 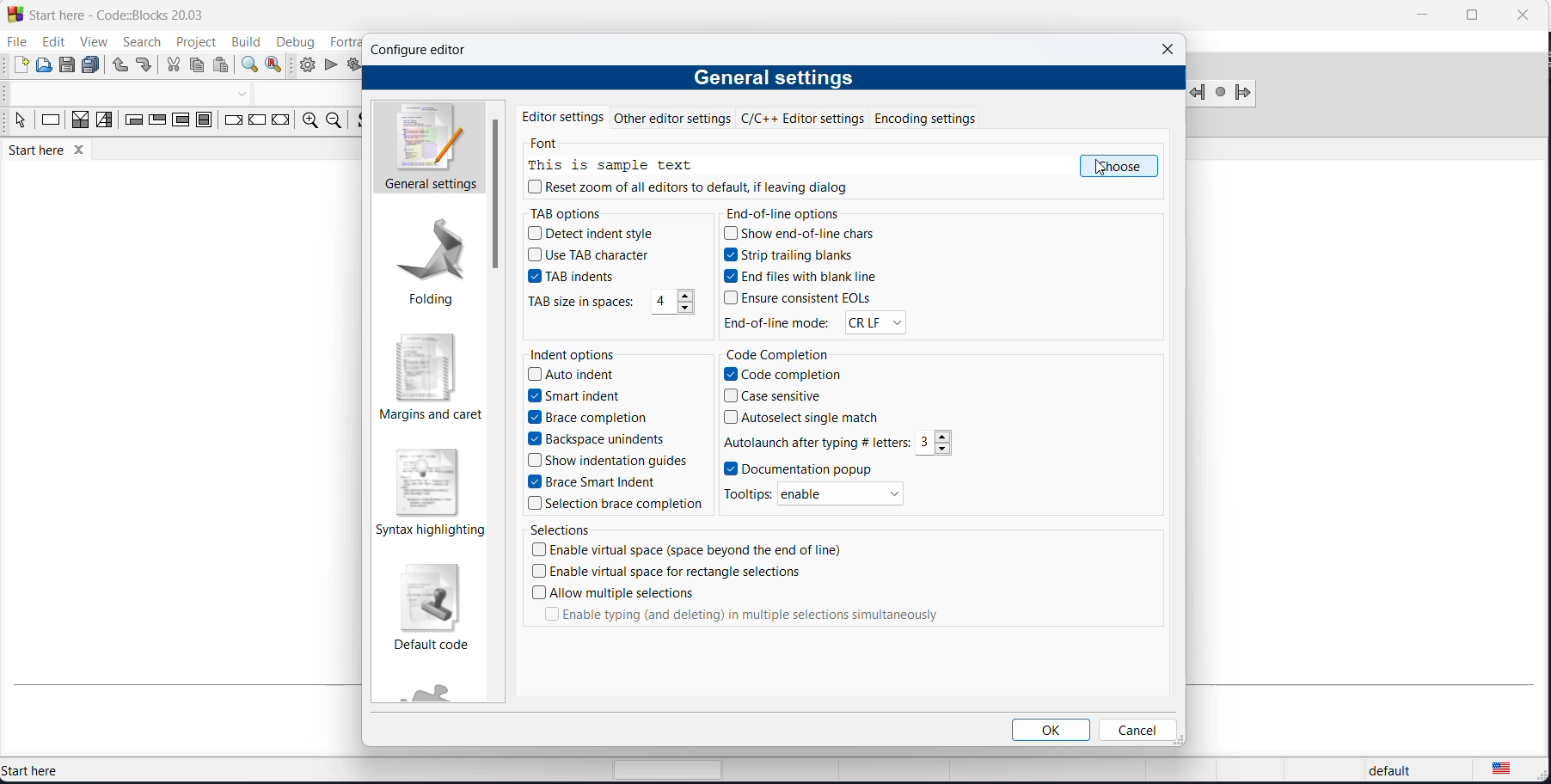 What do you see at coordinates (671, 574) in the screenshot?
I see `enable virtual space for rectangle spacr` at bounding box center [671, 574].